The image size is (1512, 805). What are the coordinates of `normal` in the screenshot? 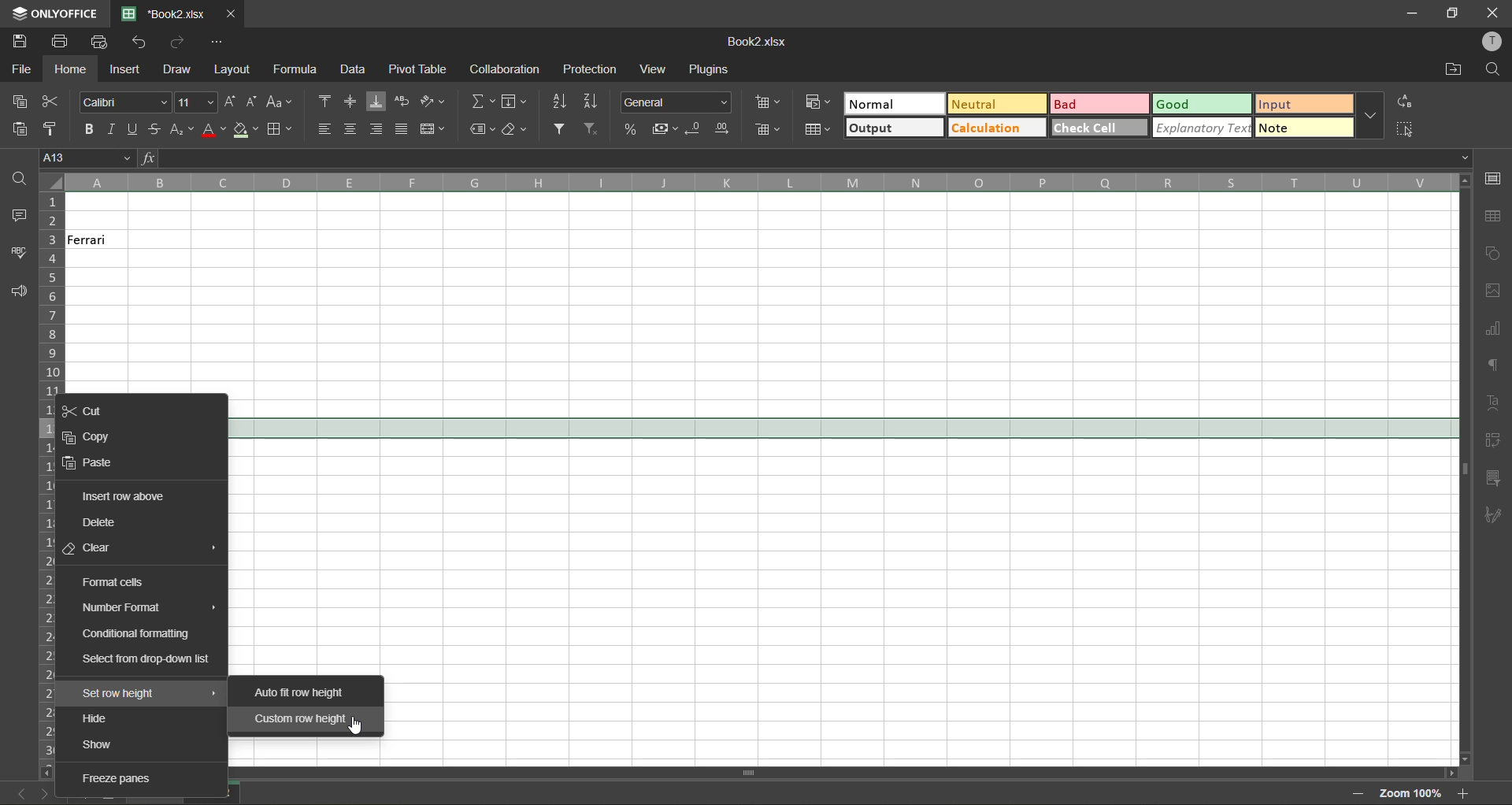 It's located at (895, 105).